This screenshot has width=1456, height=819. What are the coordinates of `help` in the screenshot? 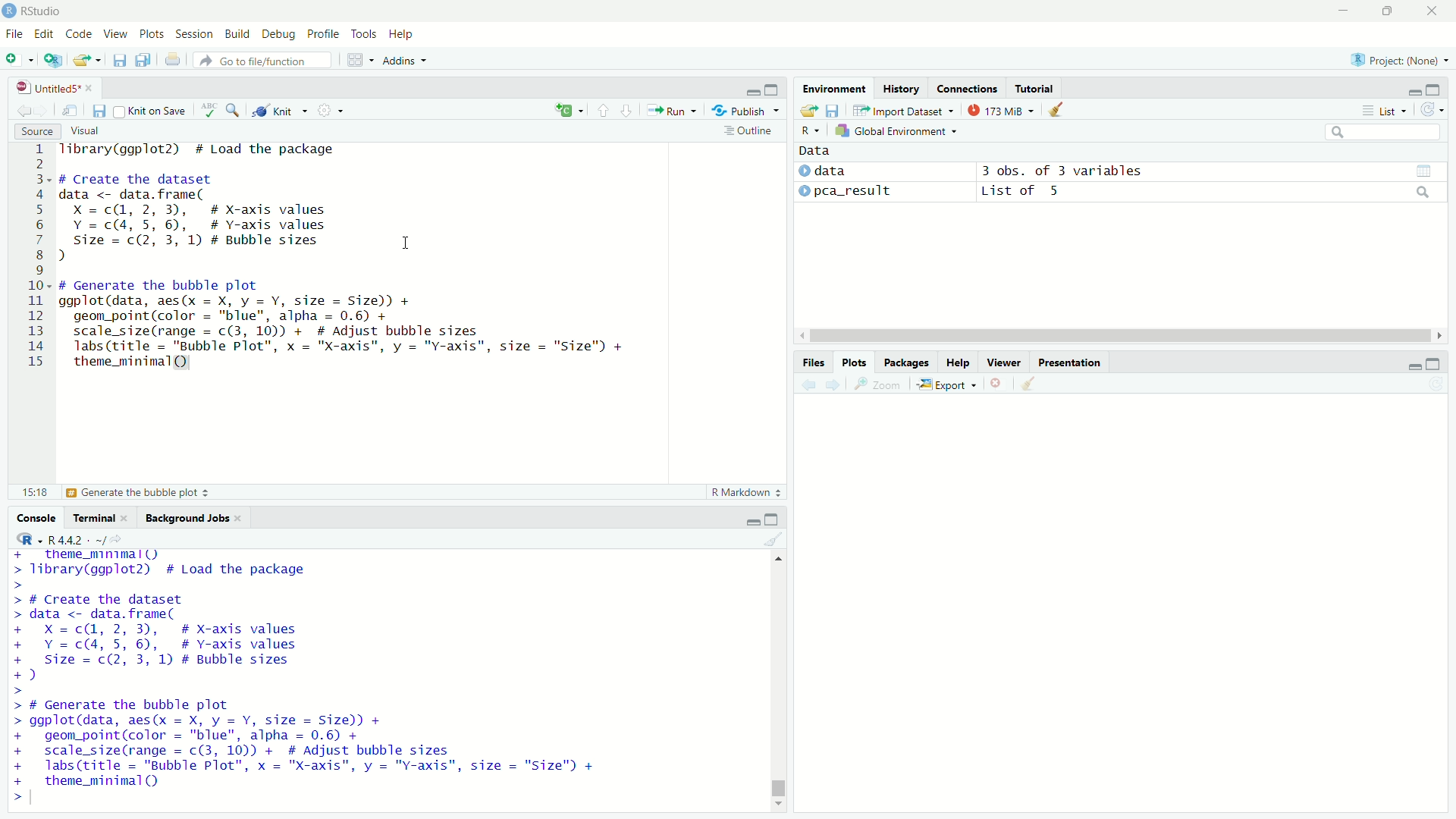 It's located at (402, 36).